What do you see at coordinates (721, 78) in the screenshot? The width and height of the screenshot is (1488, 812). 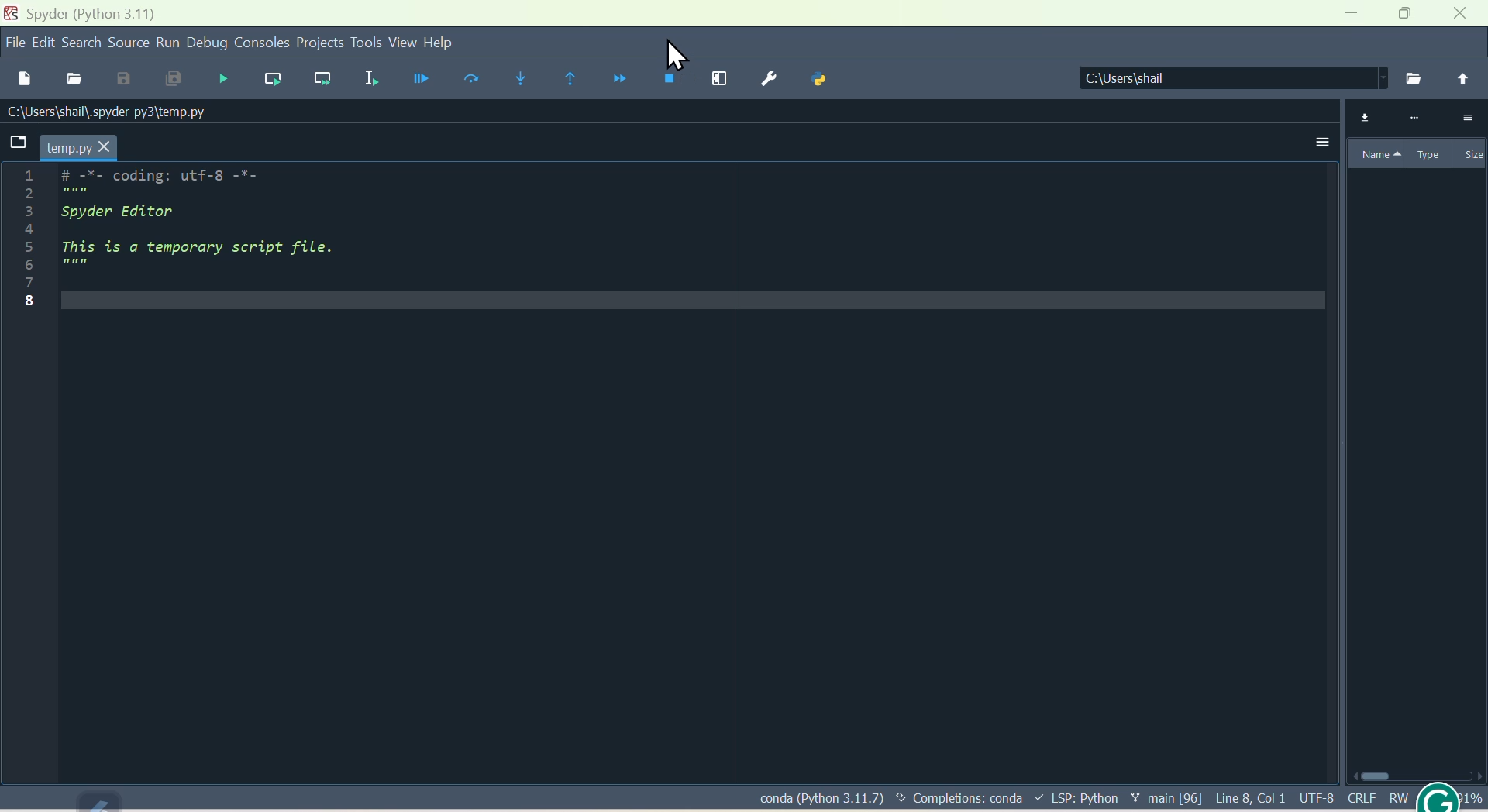 I see `Maximise current window` at bounding box center [721, 78].